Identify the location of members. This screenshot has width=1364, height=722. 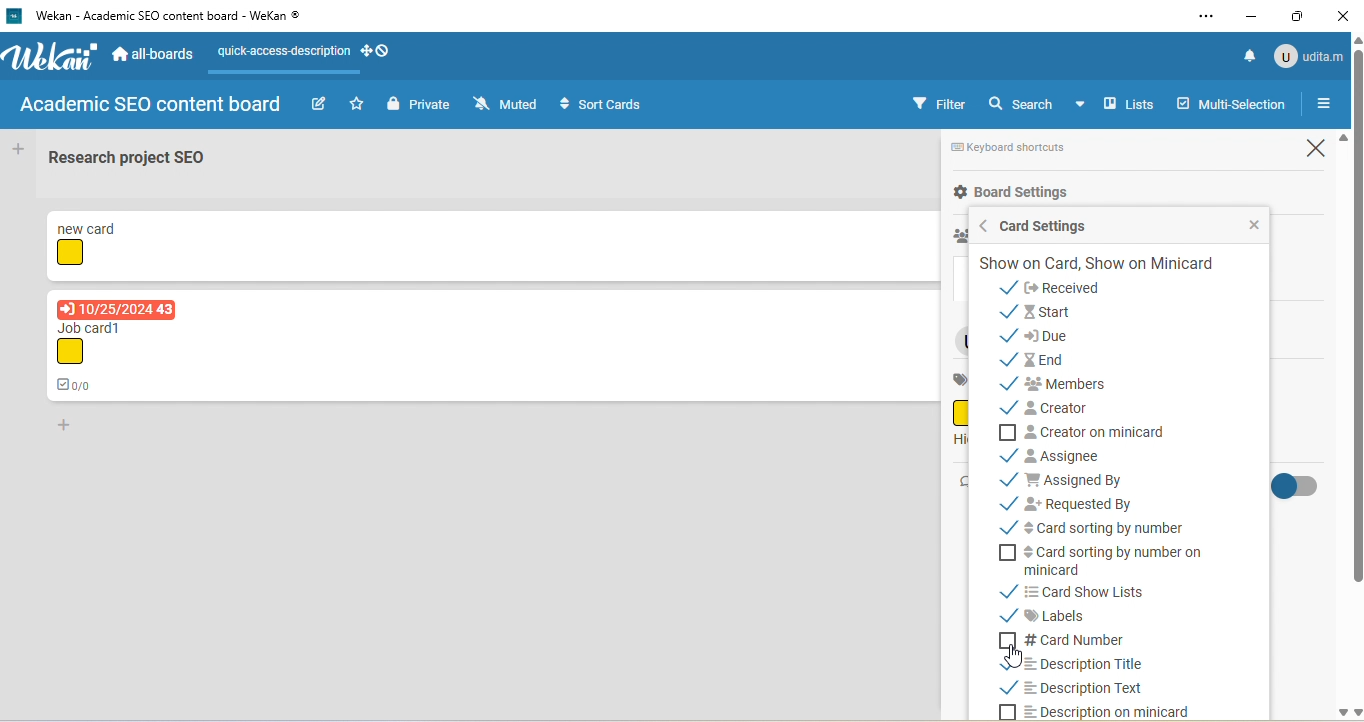
(1071, 386).